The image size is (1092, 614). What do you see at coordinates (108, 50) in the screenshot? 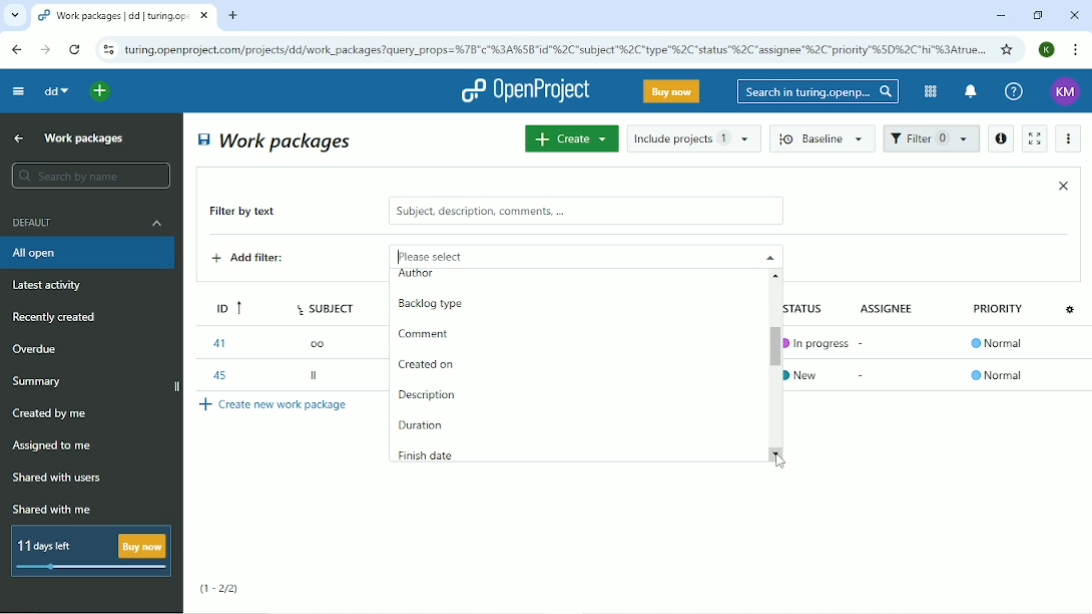
I see `View site information` at bounding box center [108, 50].